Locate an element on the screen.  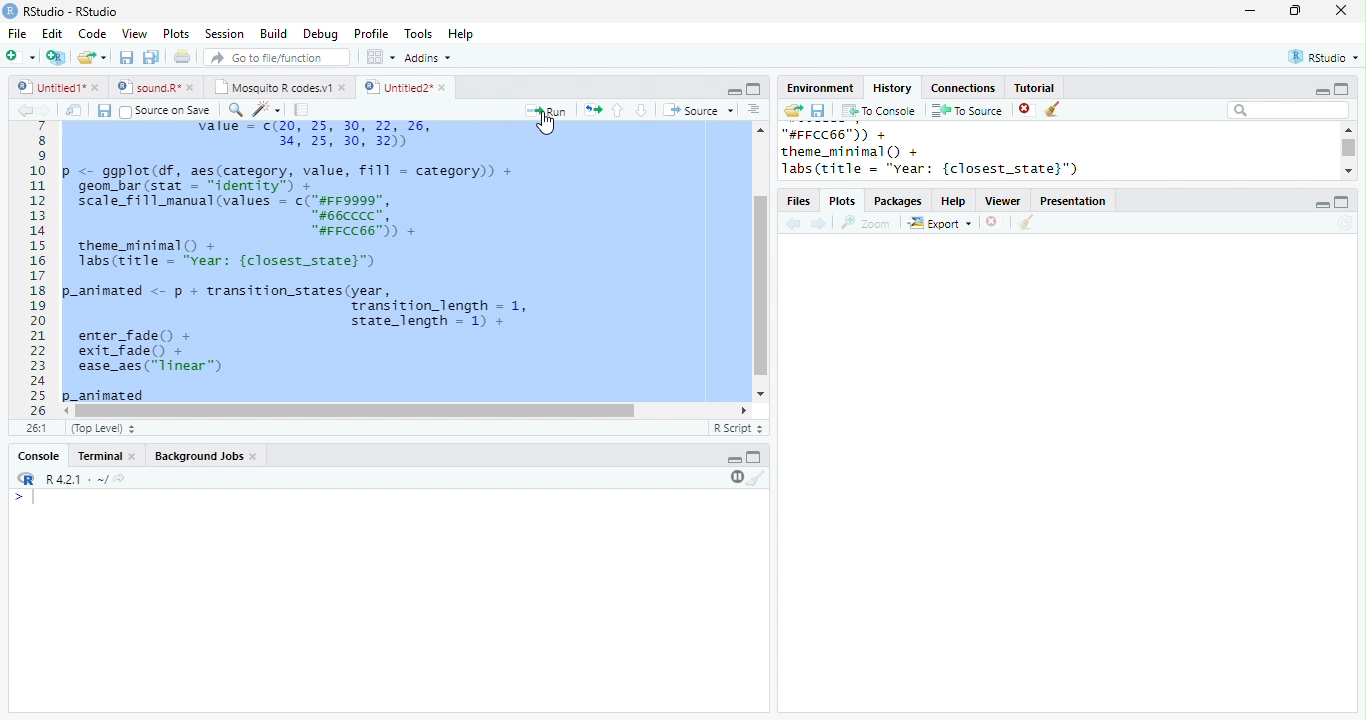
"#FFCC66™)) +
theme_minimal () +
Jabs(title = "vear: {closest_state}") is located at coordinates (948, 152).